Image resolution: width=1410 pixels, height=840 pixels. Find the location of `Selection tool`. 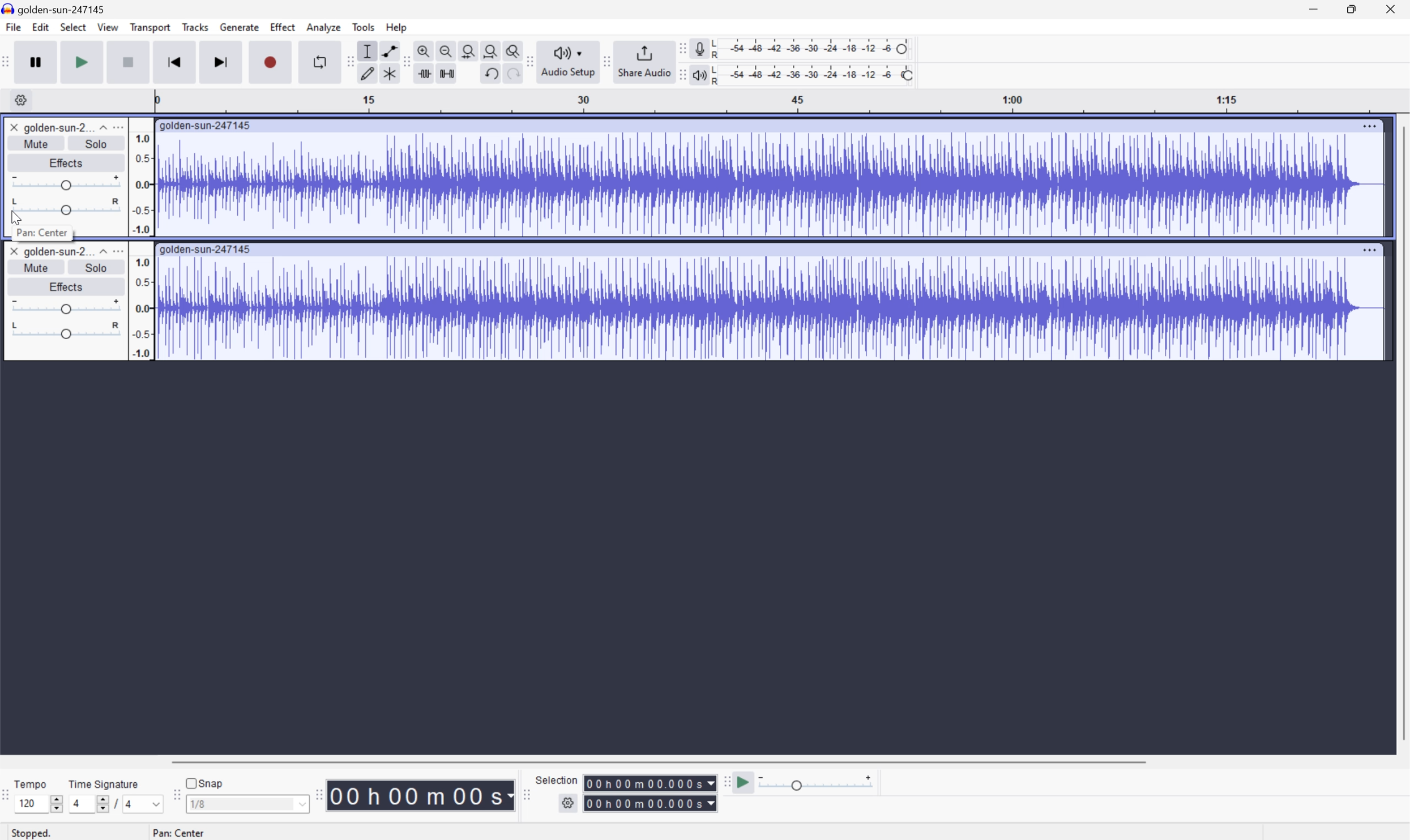

Selection tool is located at coordinates (369, 51).